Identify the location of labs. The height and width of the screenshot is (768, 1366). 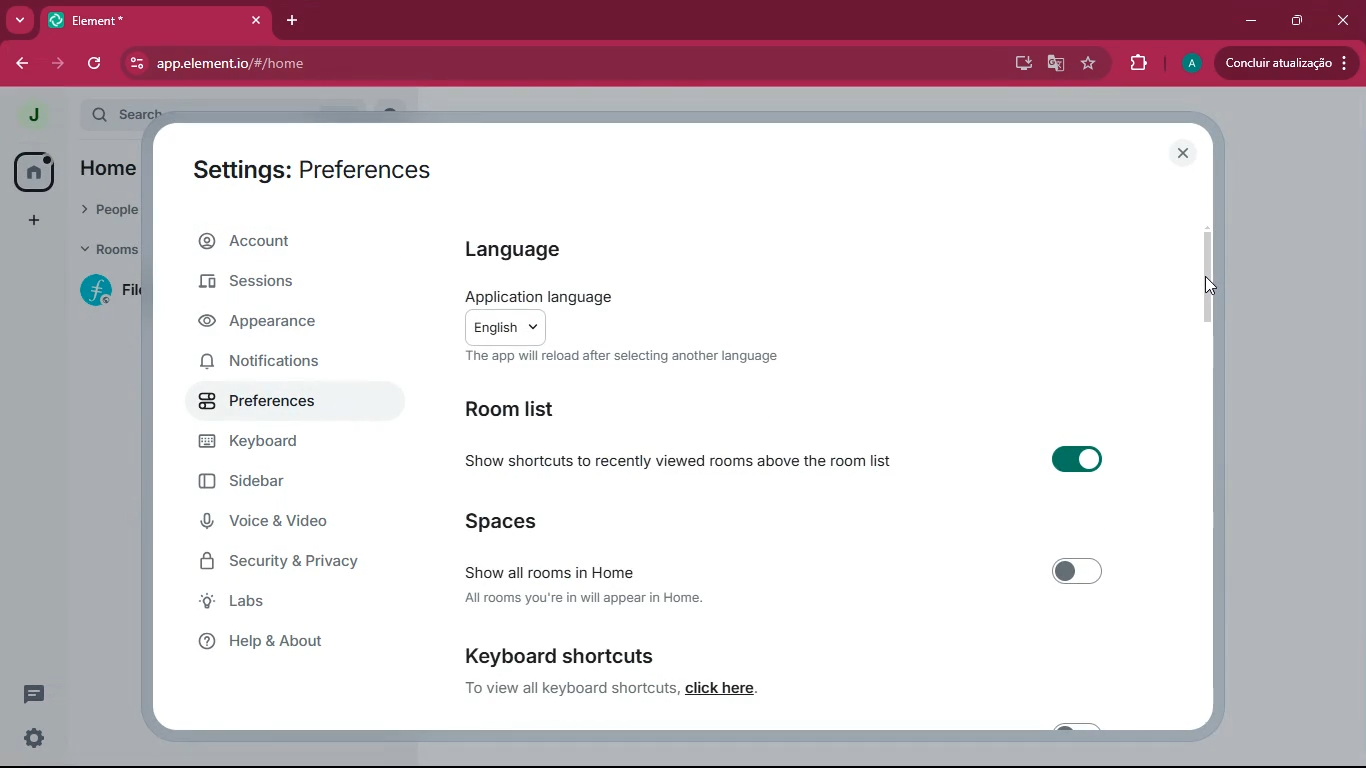
(284, 603).